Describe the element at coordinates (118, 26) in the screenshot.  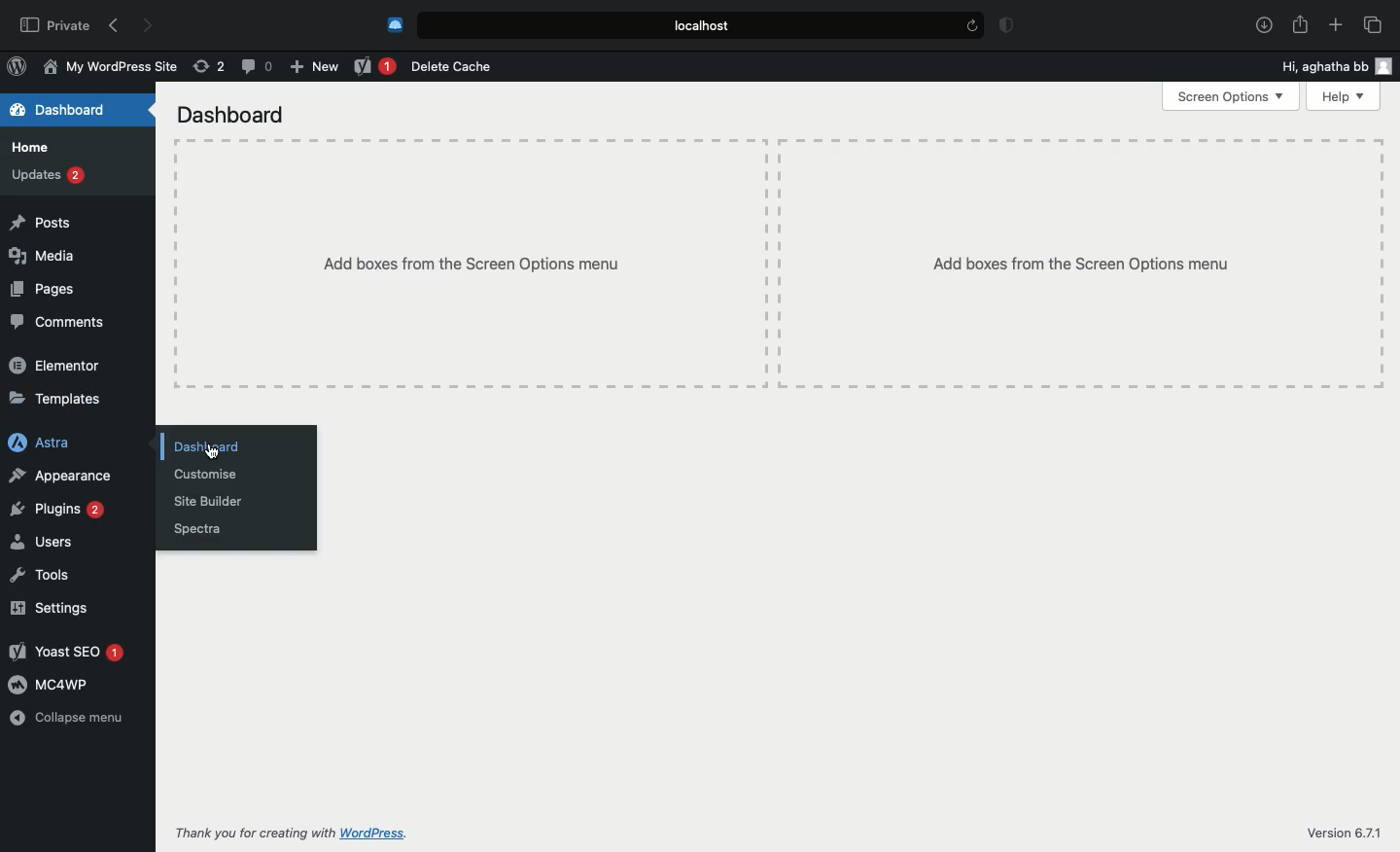
I see `Back` at that location.